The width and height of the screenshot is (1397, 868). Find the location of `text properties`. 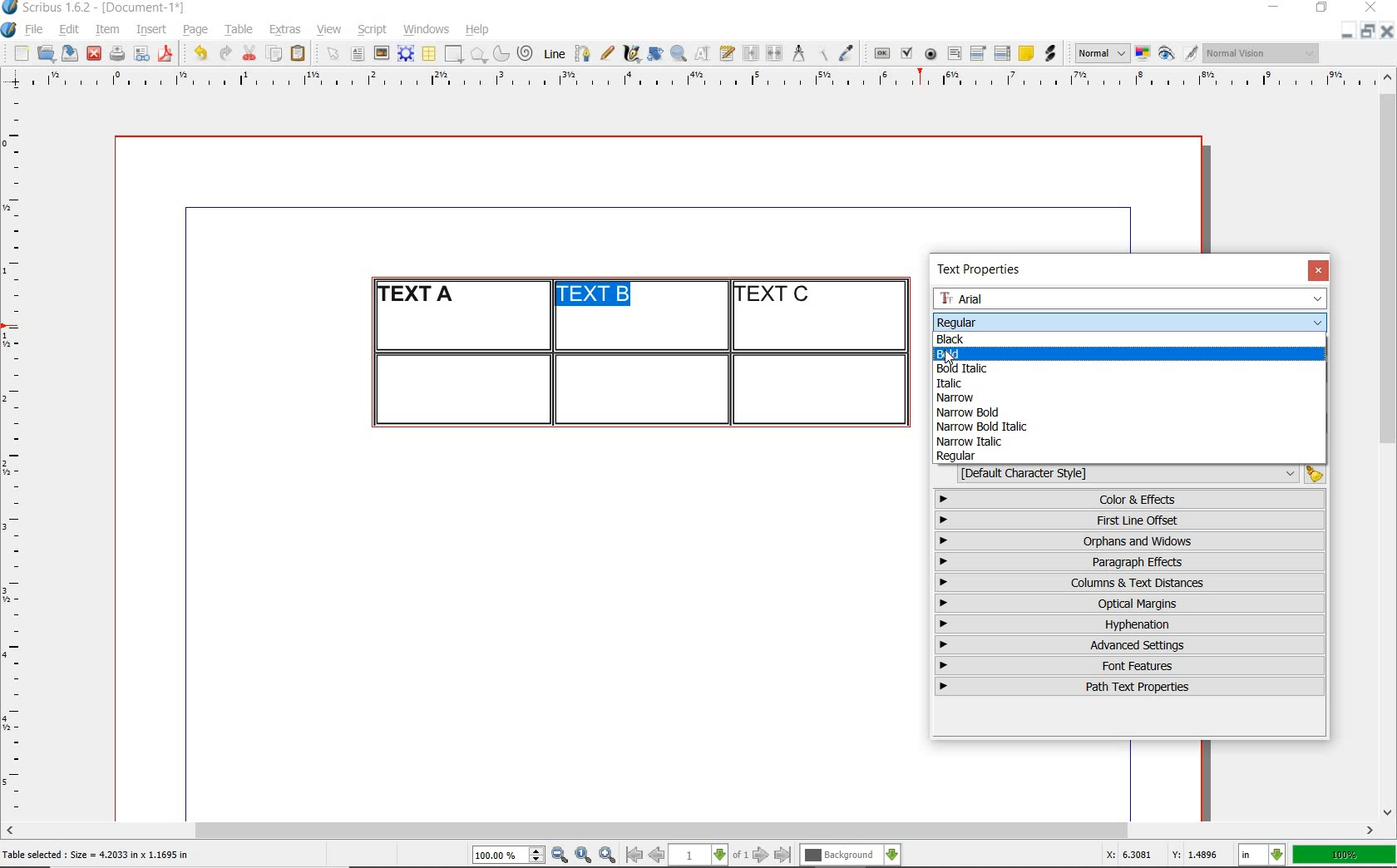

text properties is located at coordinates (985, 269).